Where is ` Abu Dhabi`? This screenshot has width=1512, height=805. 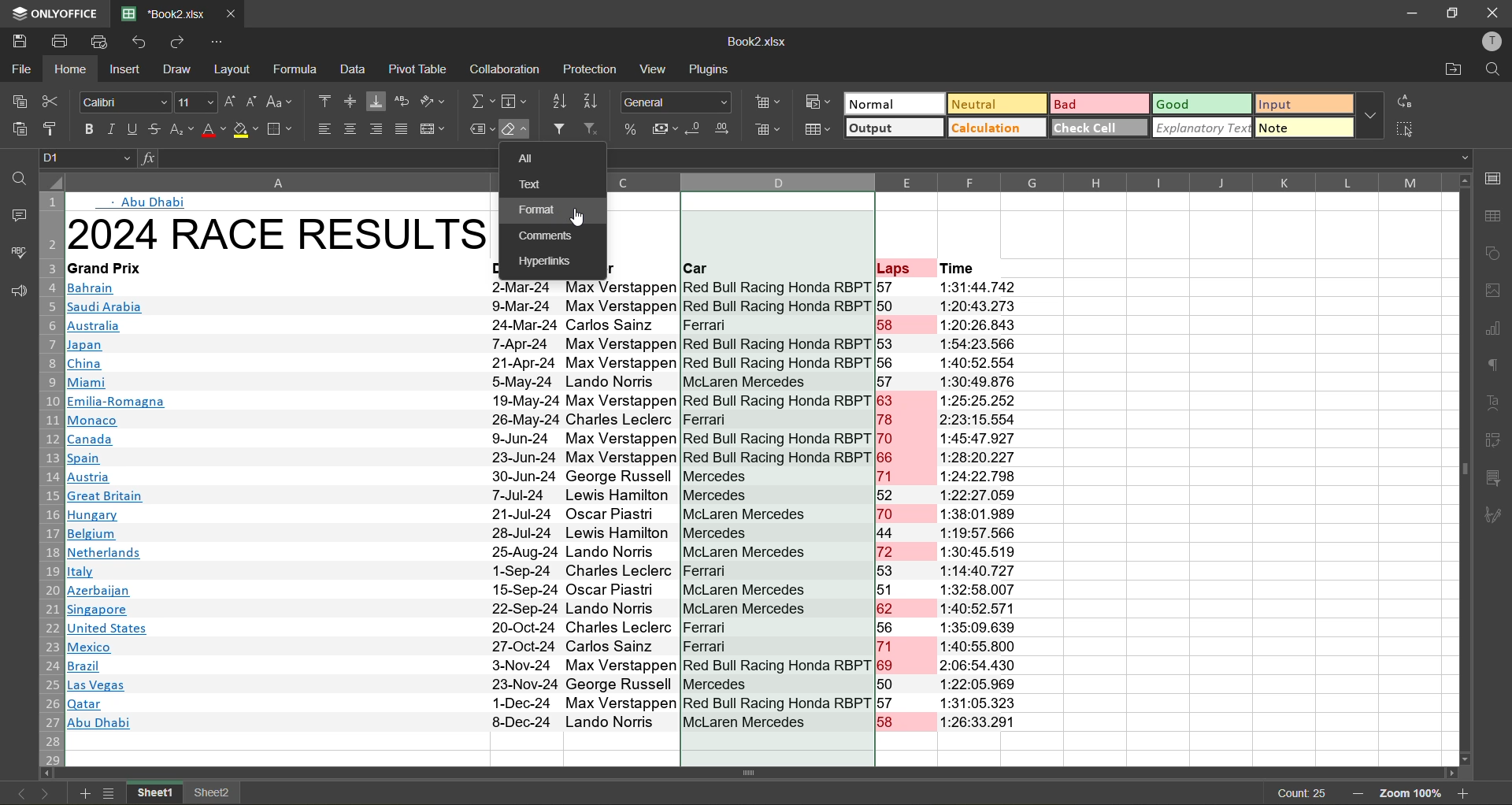  Abu Dhabi is located at coordinates (150, 203).